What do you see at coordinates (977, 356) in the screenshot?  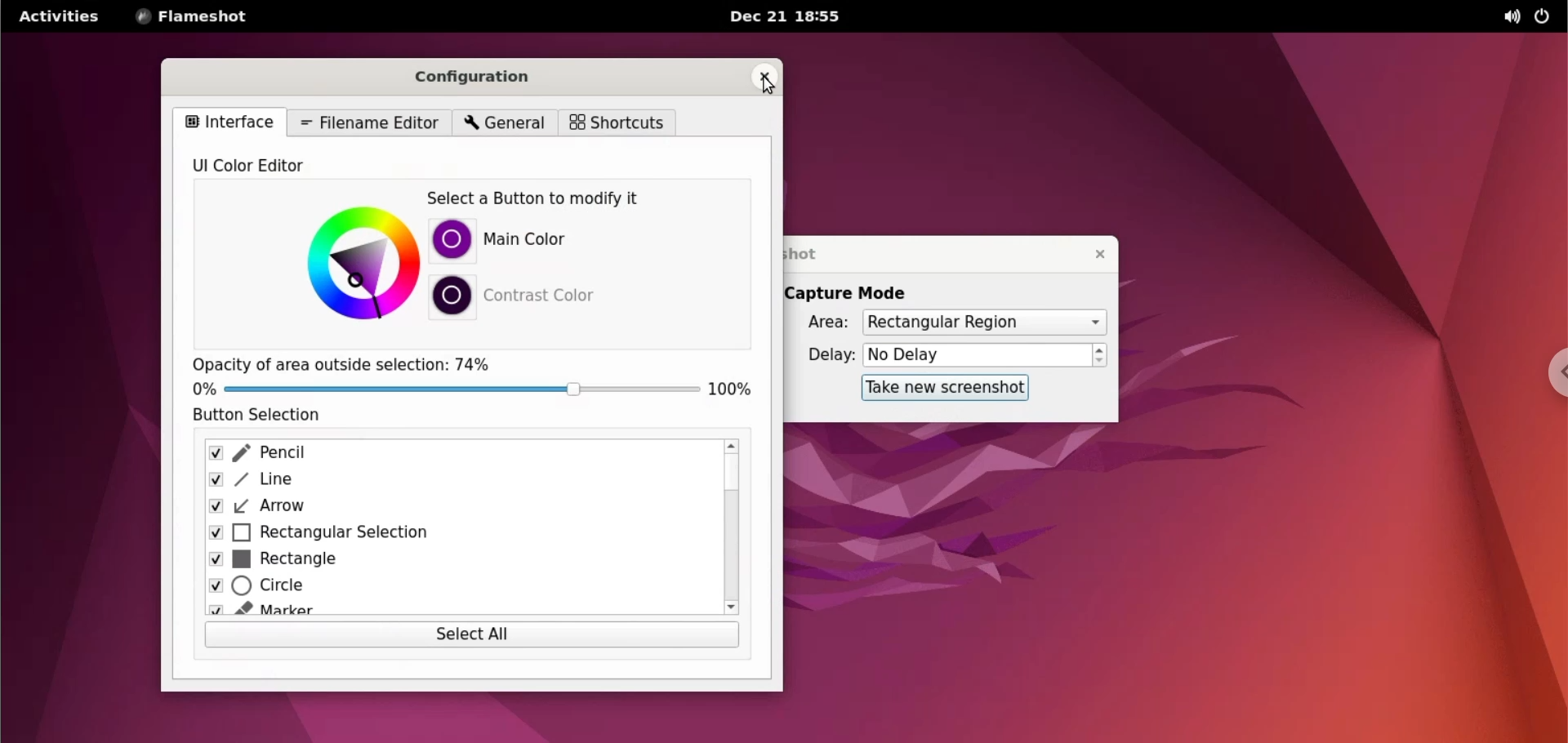 I see `No Delay` at bounding box center [977, 356].